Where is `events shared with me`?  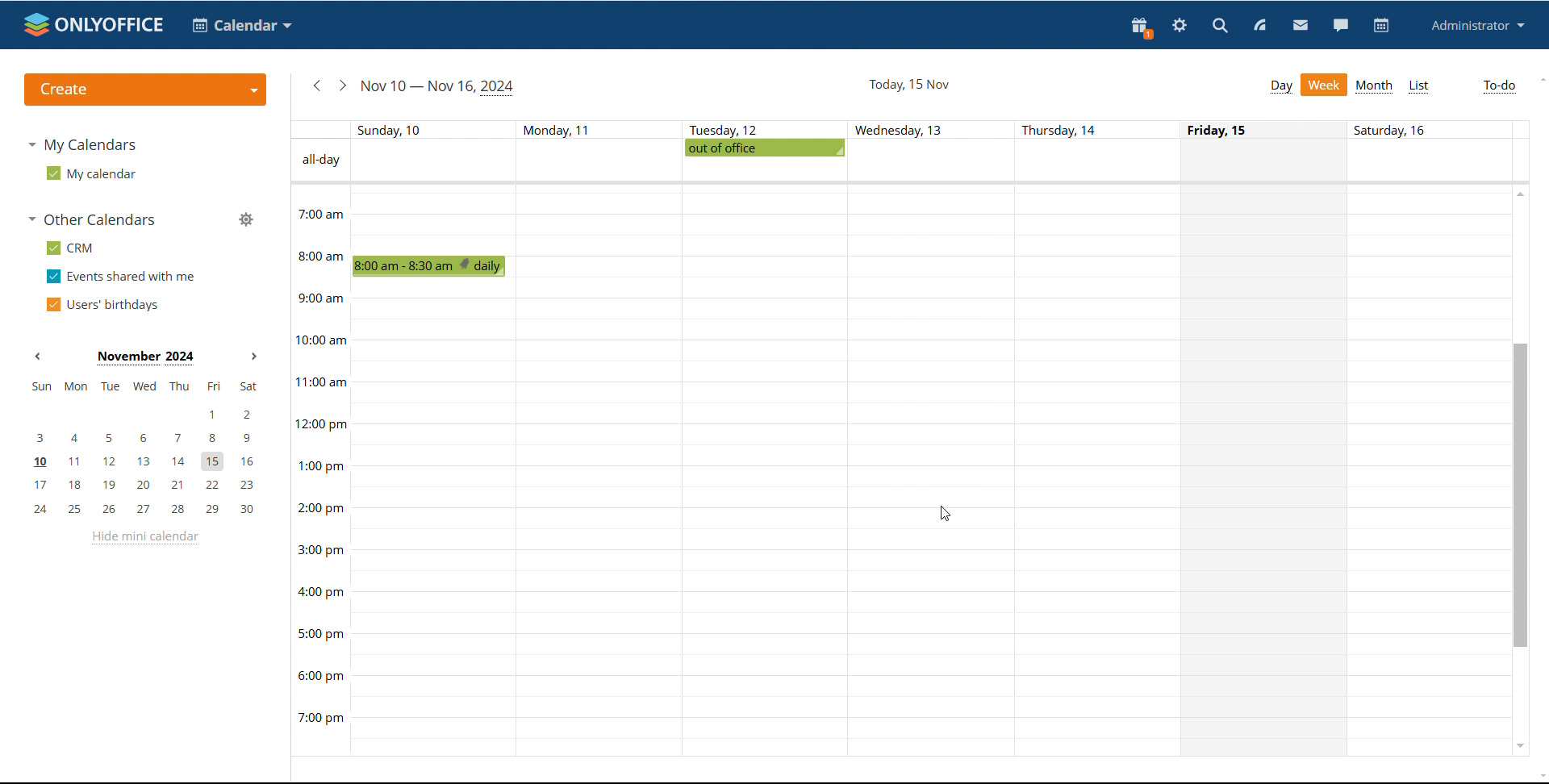 events shared with me is located at coordinates (119, 277).